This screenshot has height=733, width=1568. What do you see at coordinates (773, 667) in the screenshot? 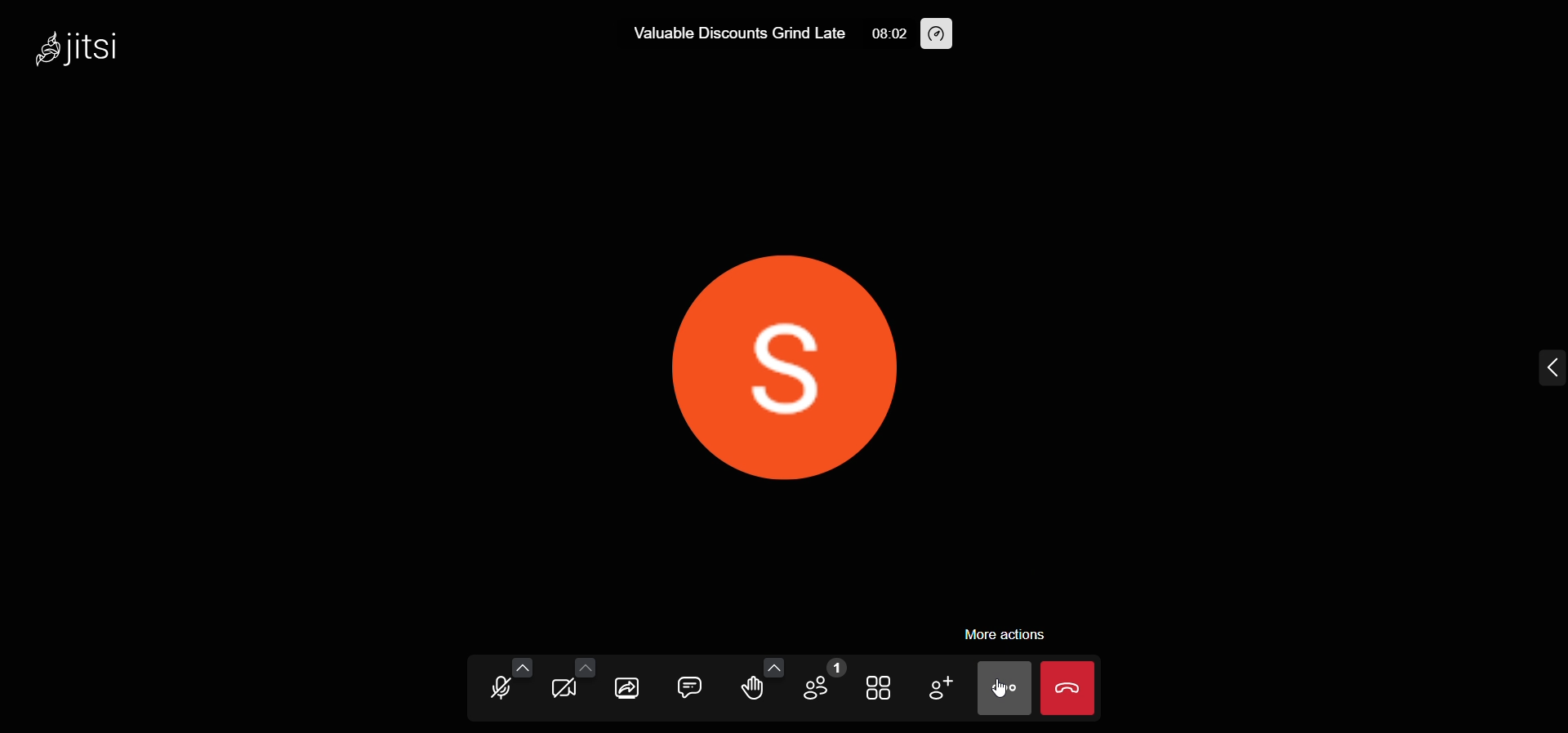
I see `more emoji` at bounding box center [773, 667].